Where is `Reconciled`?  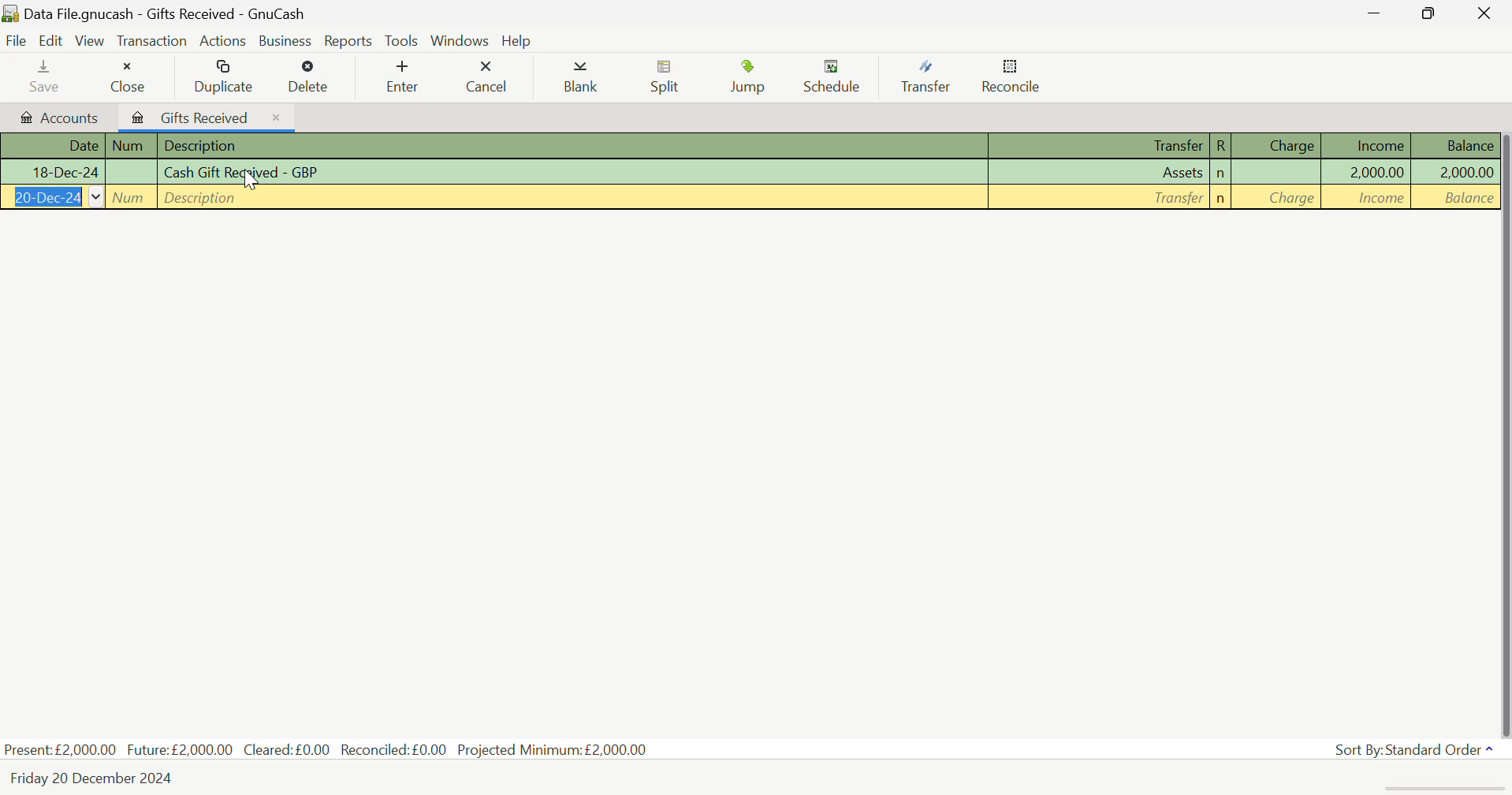 Reconciled is located at coordinates (397, 748).